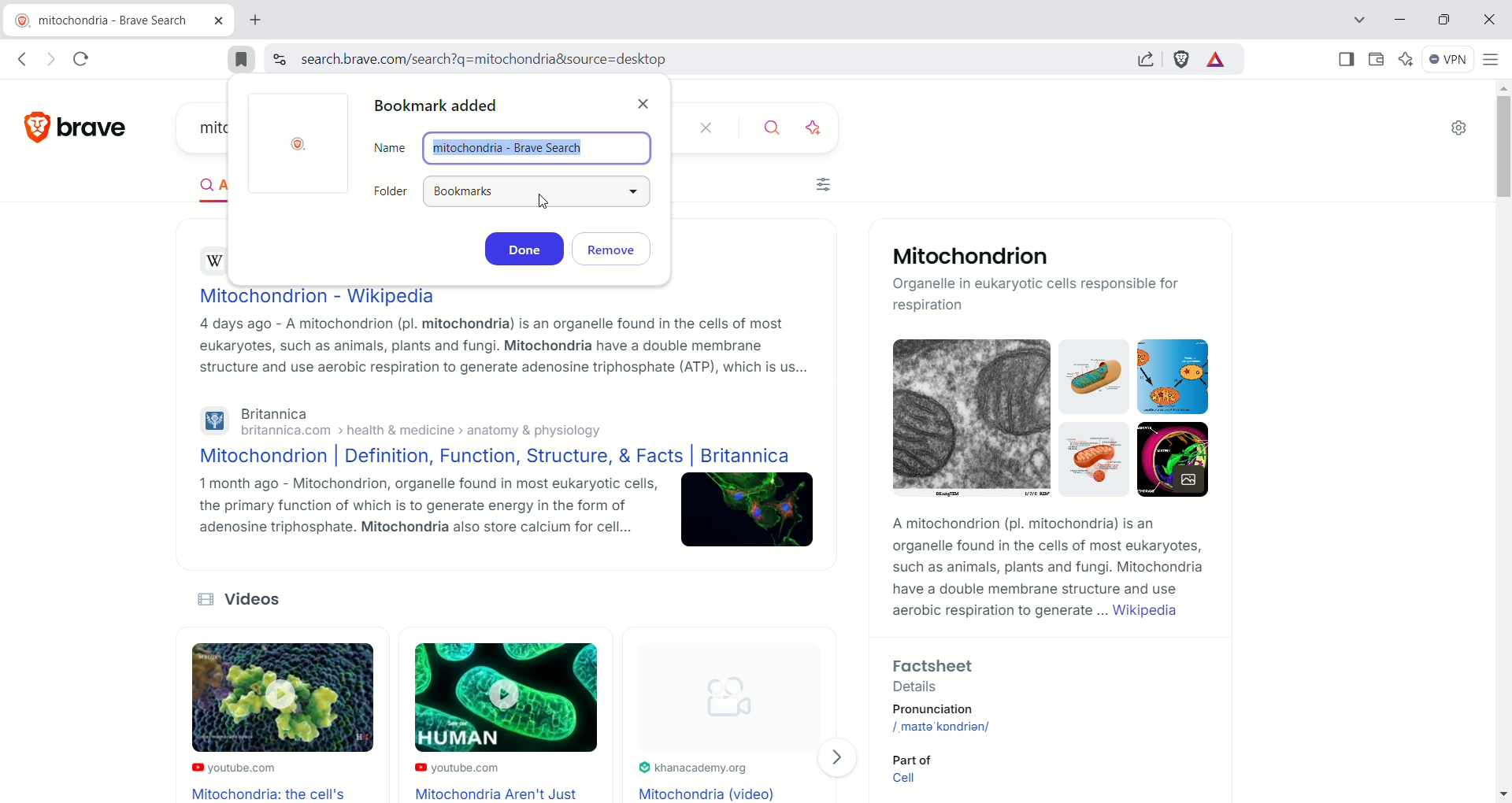 The height and width of the screenshot is (803, 1512). I want to click on wikipedia logo, so click(217, 261).